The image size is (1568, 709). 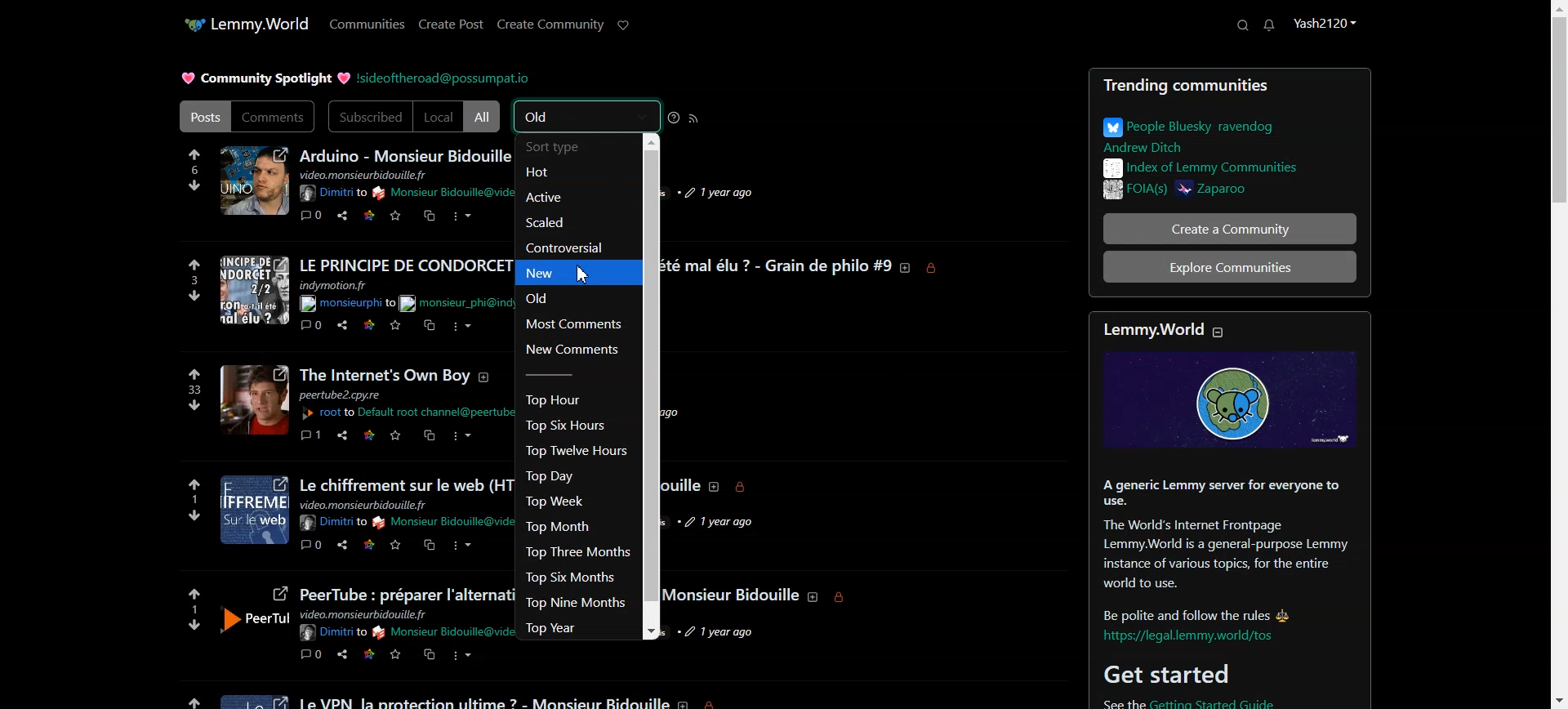 What do you see at coordinates (1130, 191) in the screenshot?
I see `FOIA(s)` at bounding box center [1130, 191].